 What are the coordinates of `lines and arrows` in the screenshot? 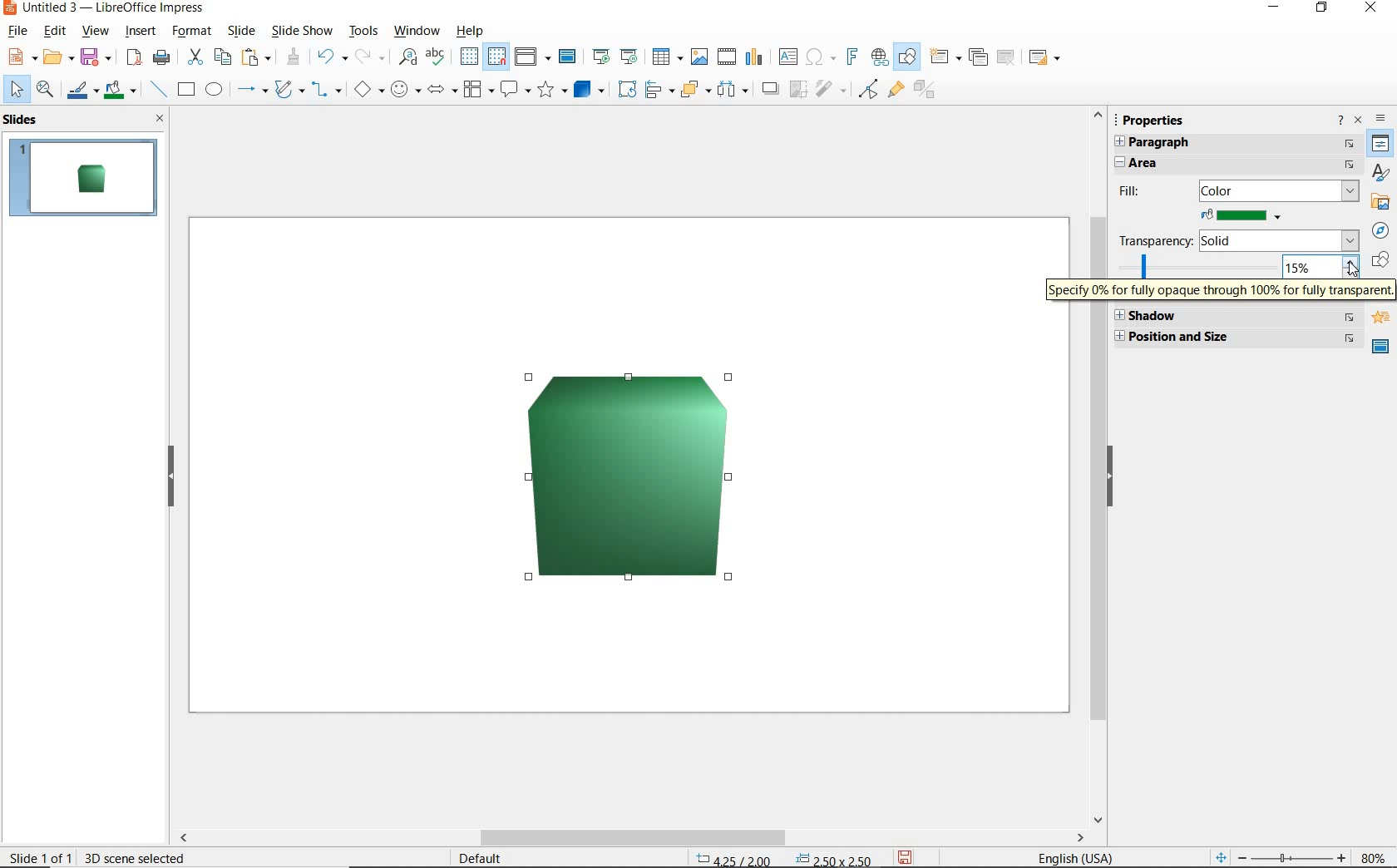 It's located at (252, 90).